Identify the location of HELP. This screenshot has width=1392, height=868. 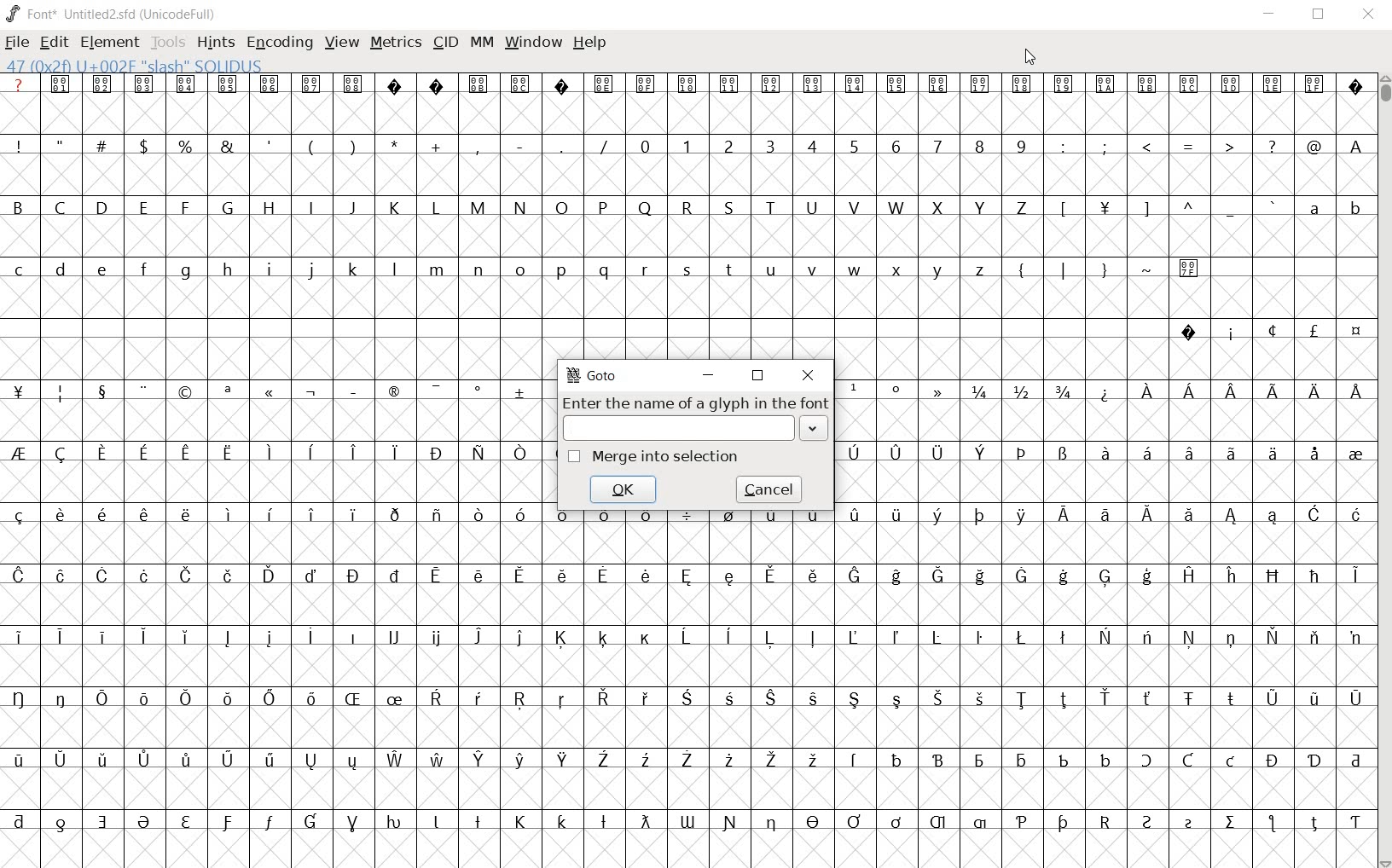
(590, 43).